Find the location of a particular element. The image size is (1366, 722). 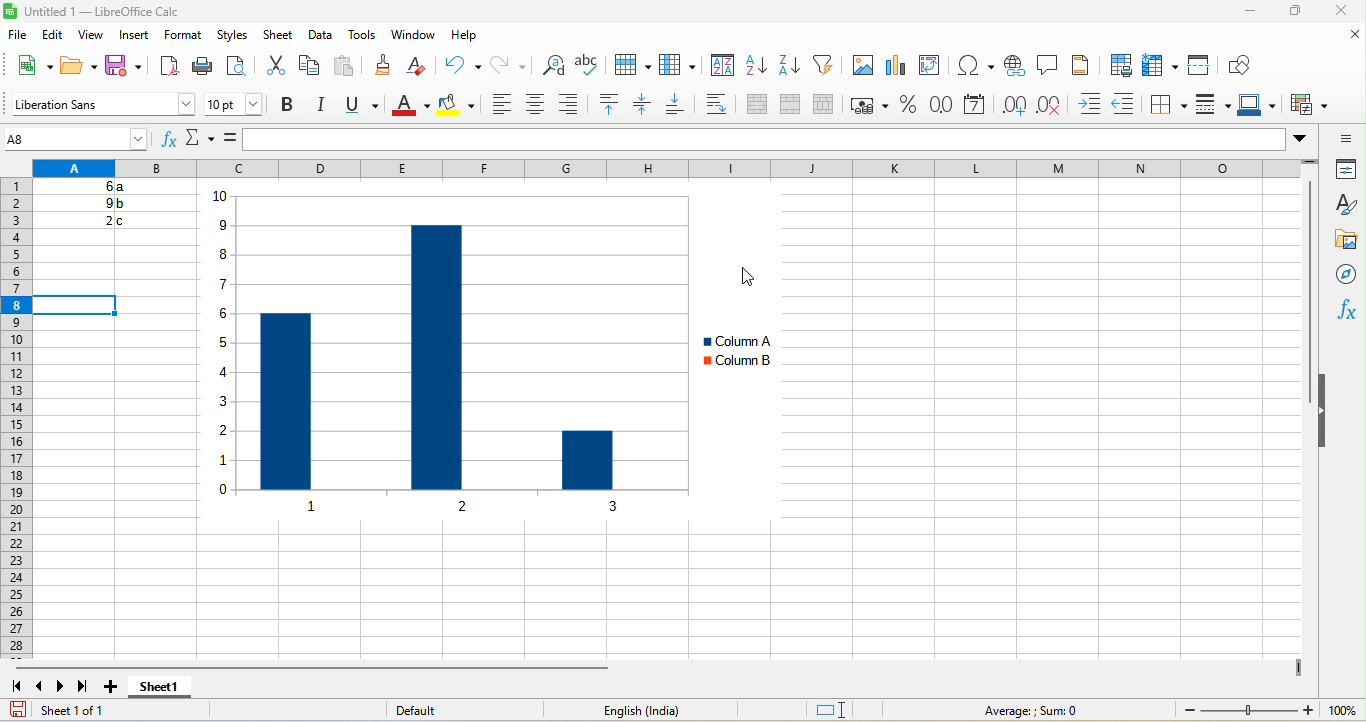

border color is located at coordinates (1260, 105).